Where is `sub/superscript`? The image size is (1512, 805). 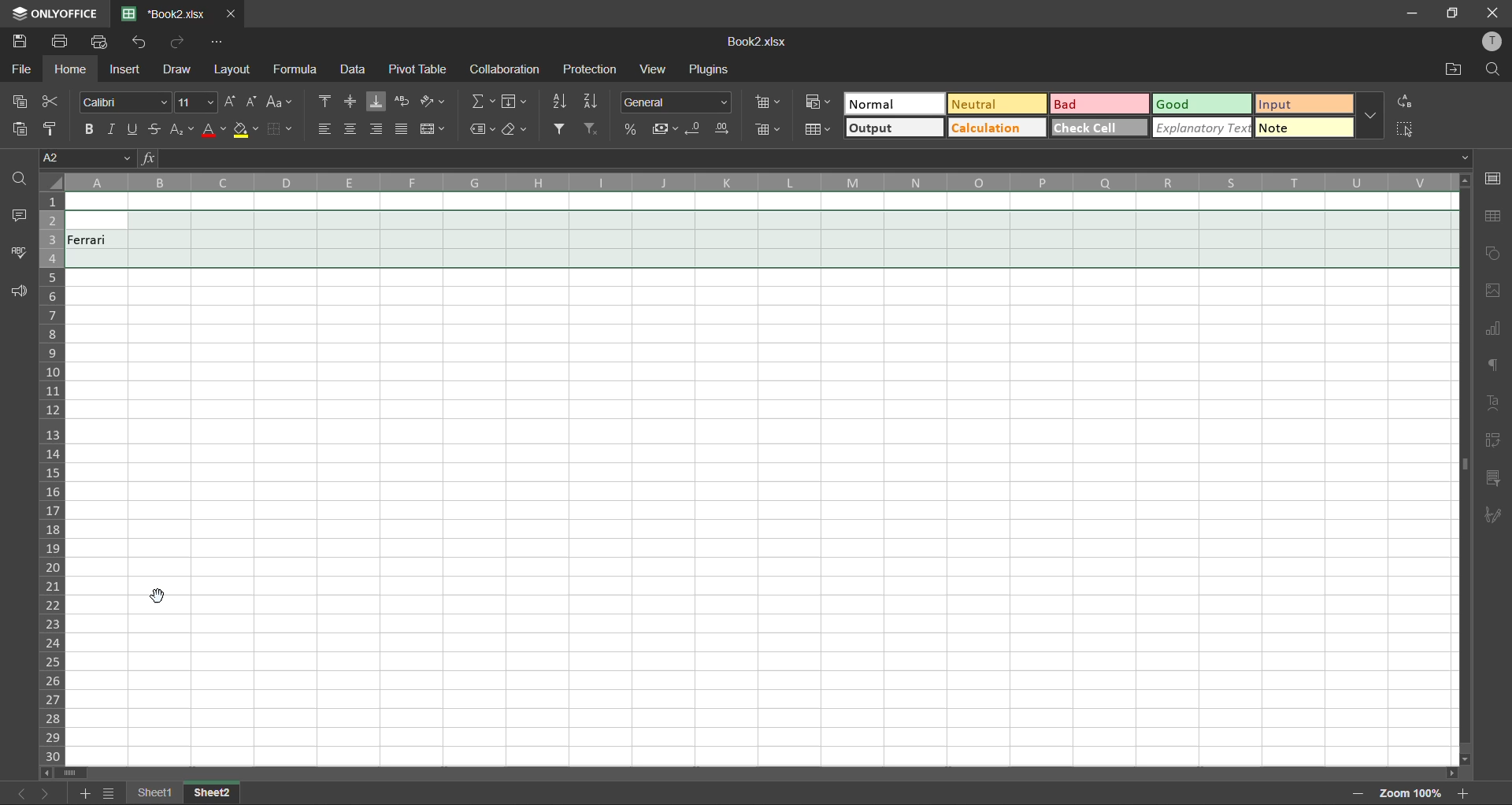
sub/superscript is located at coordinates (177, 128).